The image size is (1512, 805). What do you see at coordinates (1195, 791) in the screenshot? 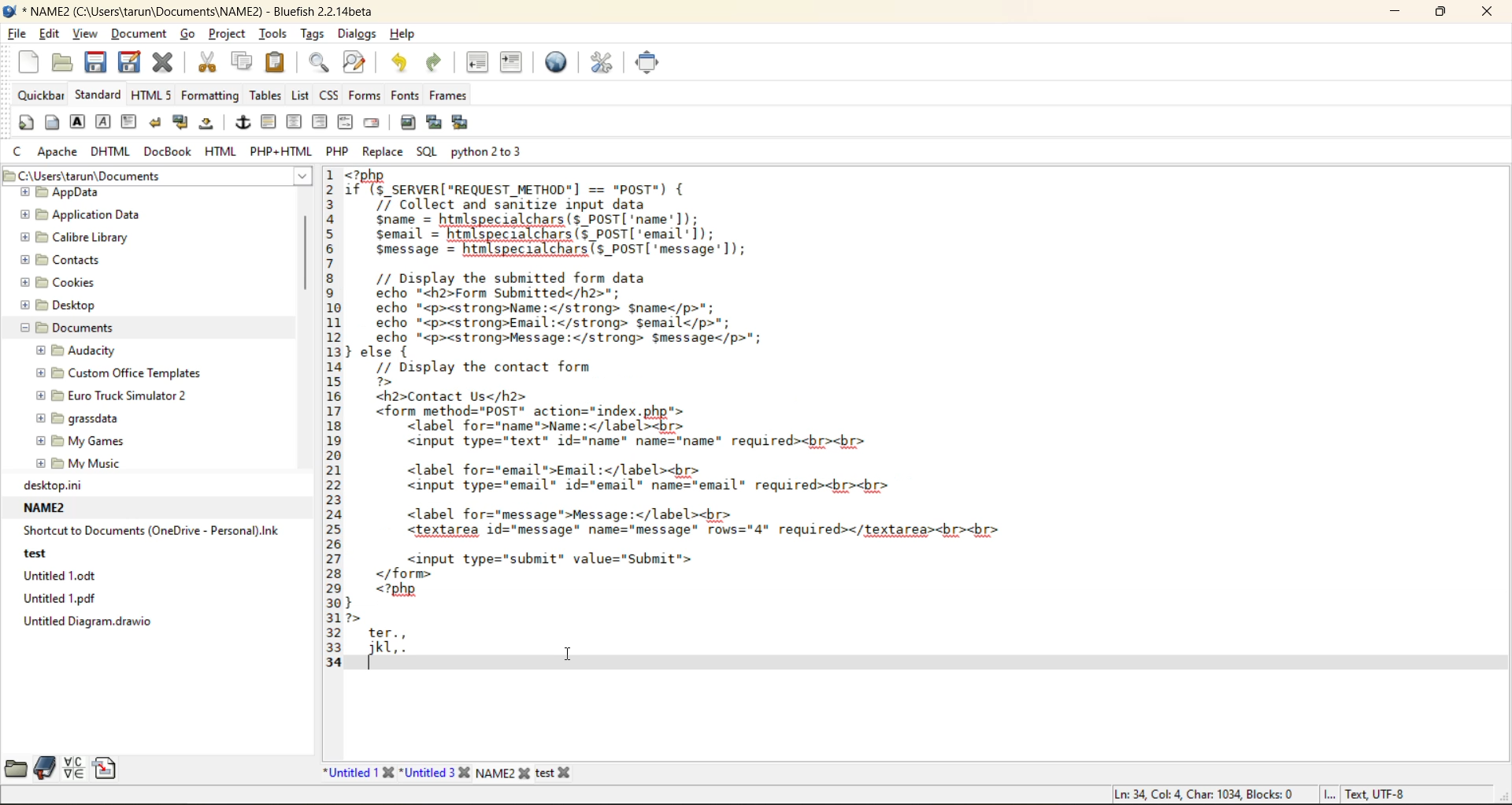
I see `Ln: 34, Col: 4 Char: 1034, Blocks: 0` at bounding box center [1195, 791].